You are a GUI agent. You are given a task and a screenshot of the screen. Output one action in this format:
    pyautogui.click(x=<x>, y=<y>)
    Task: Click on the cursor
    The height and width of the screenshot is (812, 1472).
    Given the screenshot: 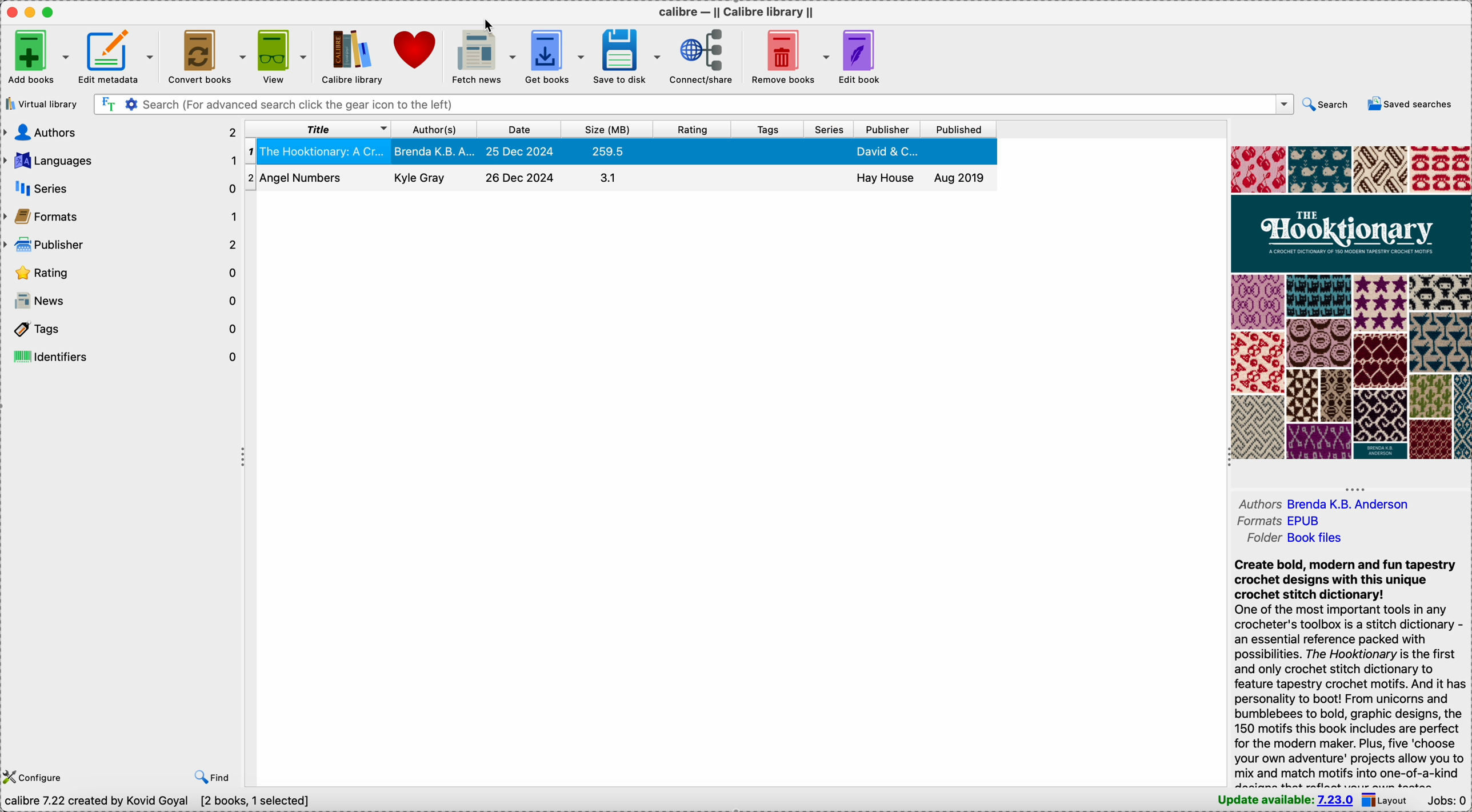 What is the action you would take?
    pyautogui.click(x=493, y=27)
    